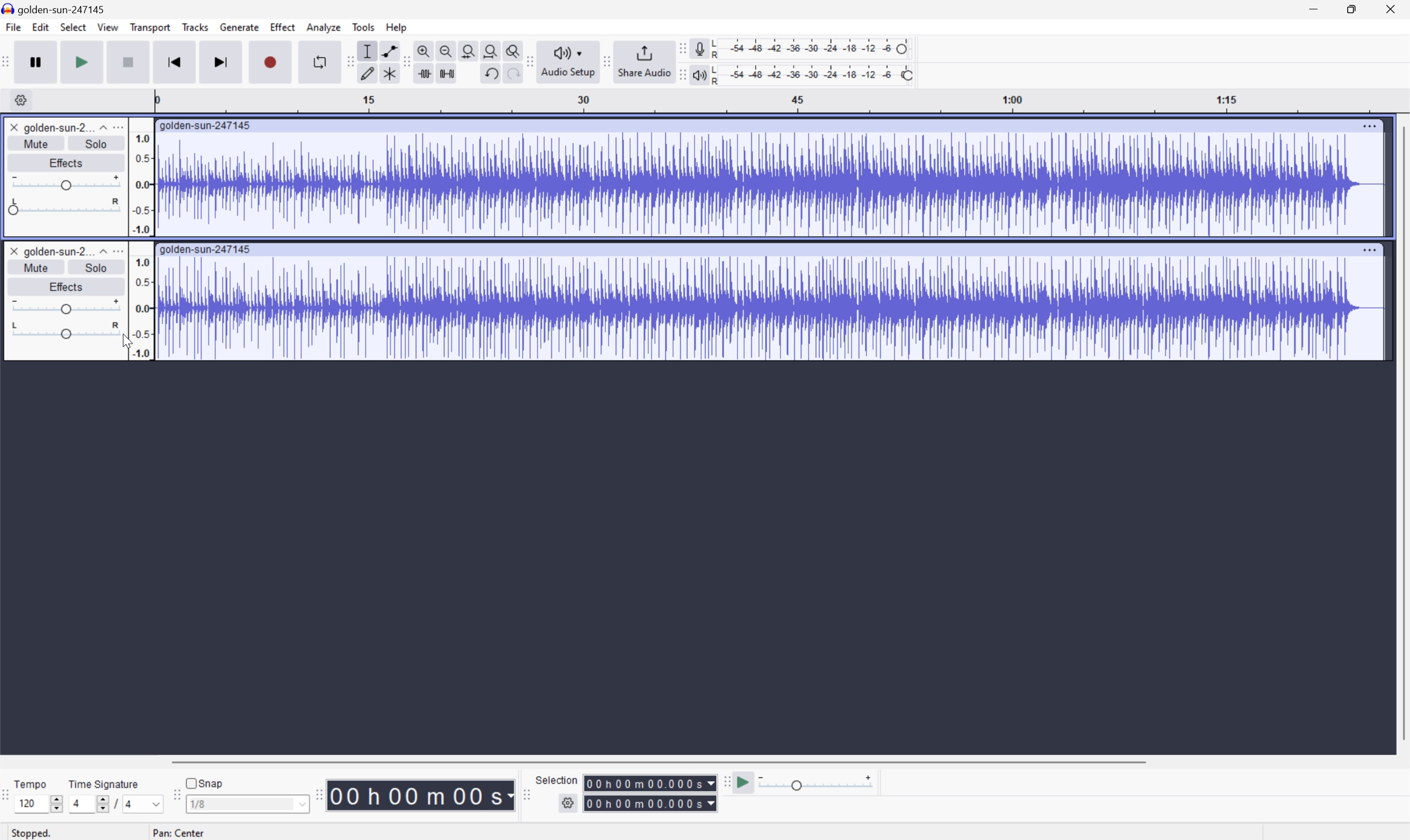 This screenshot has height=840, width=1410. Describe the element at coordinates (368, 74) in the screenshot. I see `Draw tool` at that location.